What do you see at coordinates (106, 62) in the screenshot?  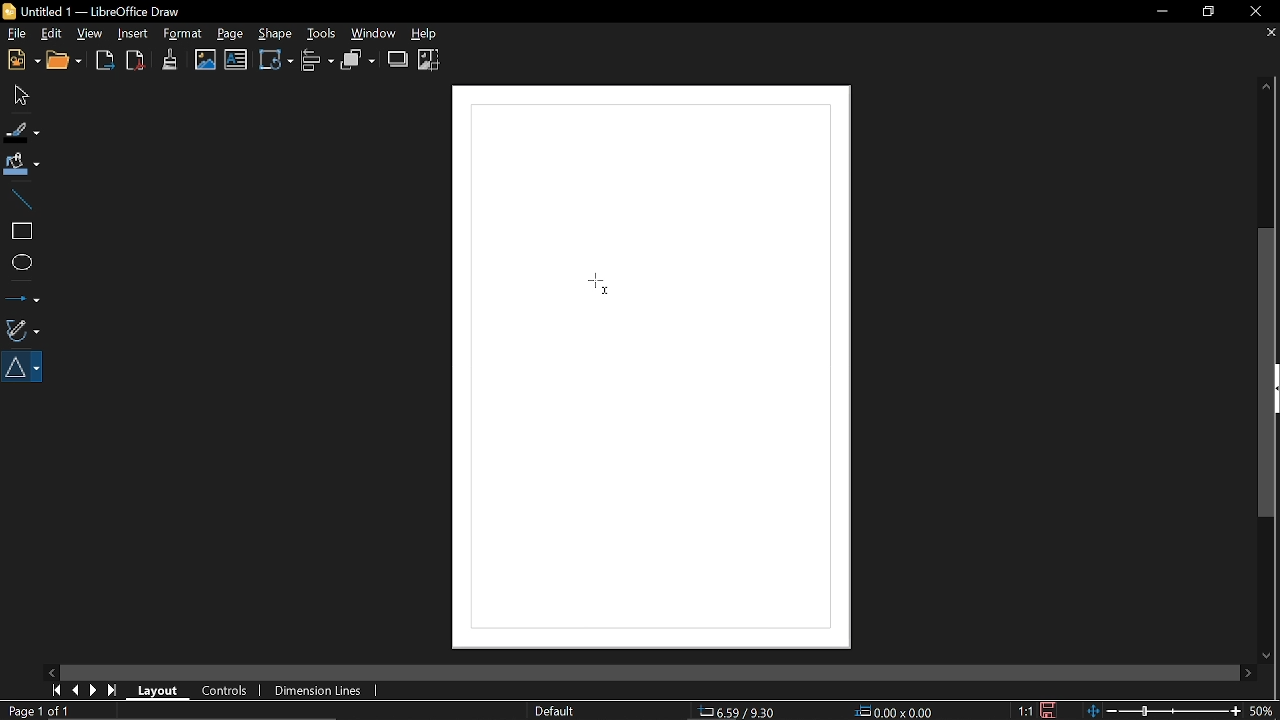 I see `Export` at bounding box center [106, 62].